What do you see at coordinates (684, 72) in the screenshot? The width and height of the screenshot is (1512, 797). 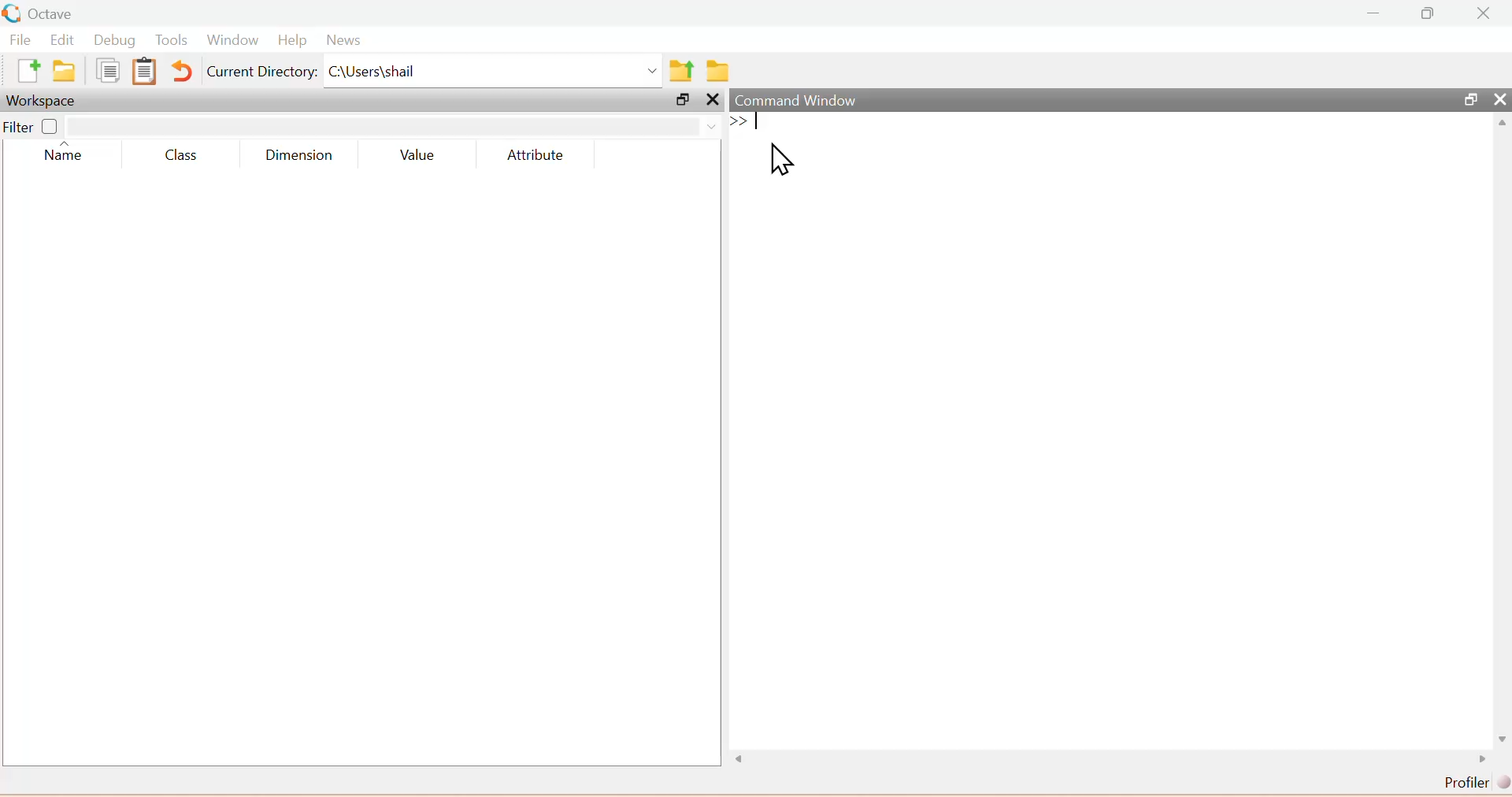 I see `one directory up` at bounding box center [684, 72].